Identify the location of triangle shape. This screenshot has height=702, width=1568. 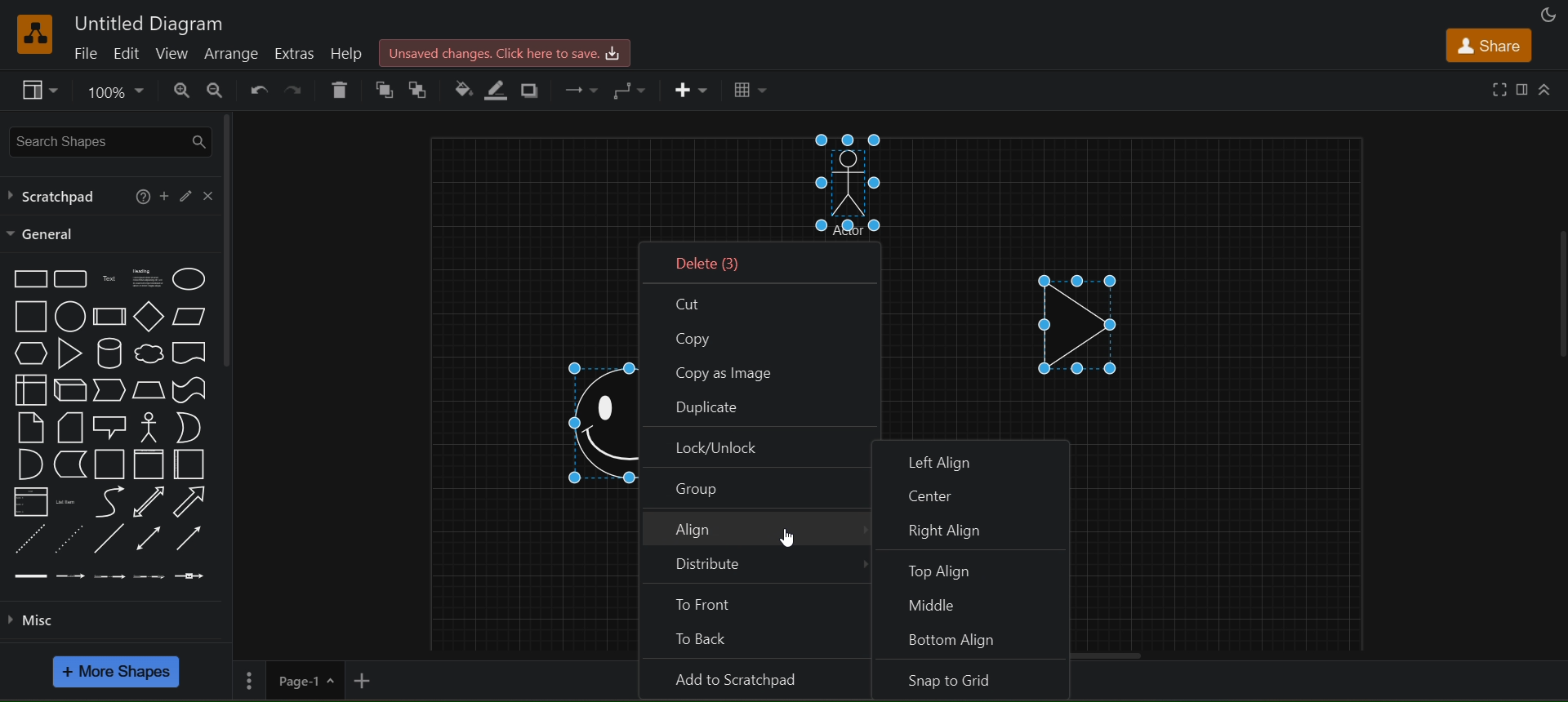
(1083, 318).